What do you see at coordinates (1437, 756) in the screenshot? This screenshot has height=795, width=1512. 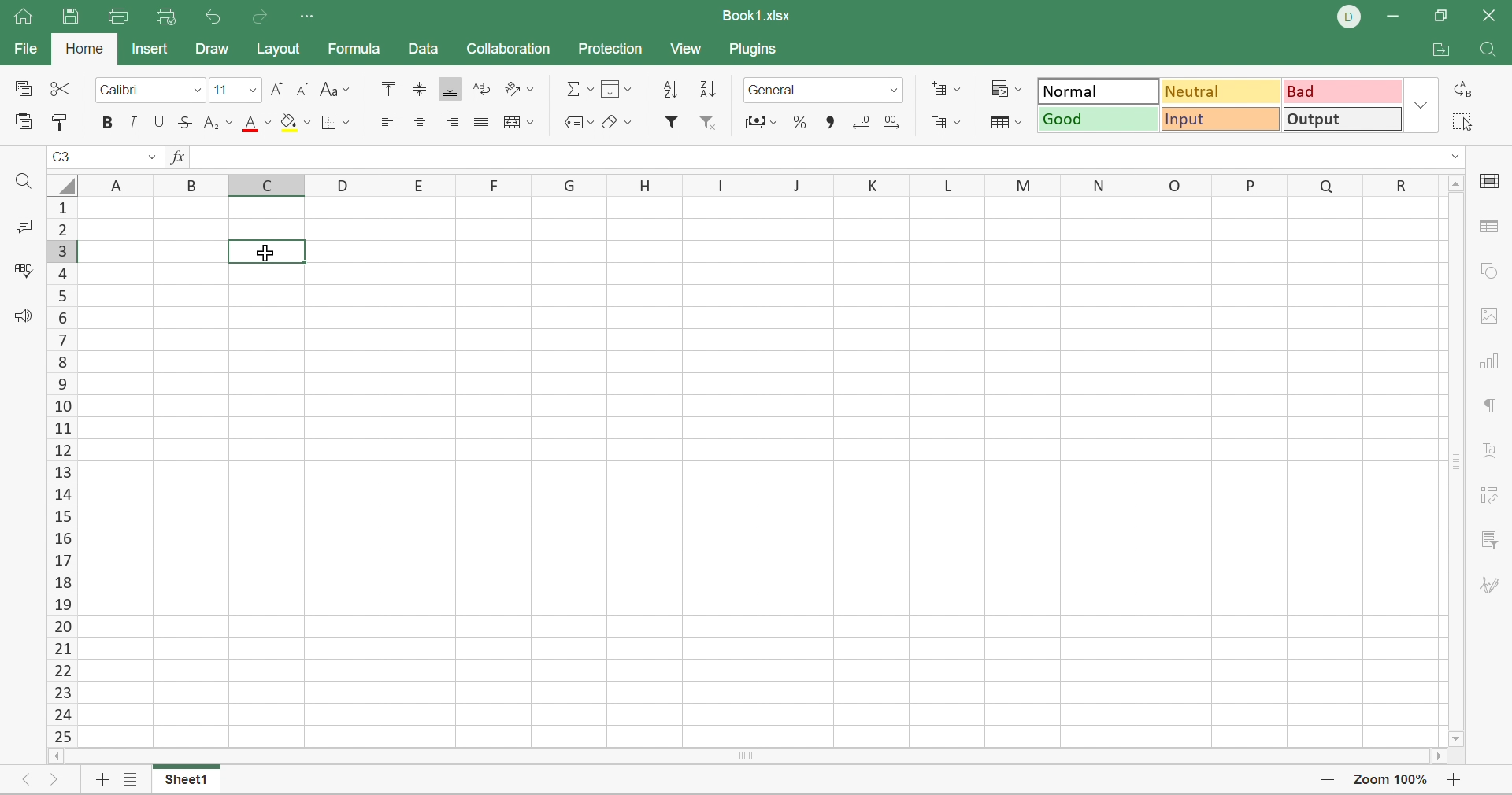 I see `Scroll Right` at bounding box center [1437, 756].